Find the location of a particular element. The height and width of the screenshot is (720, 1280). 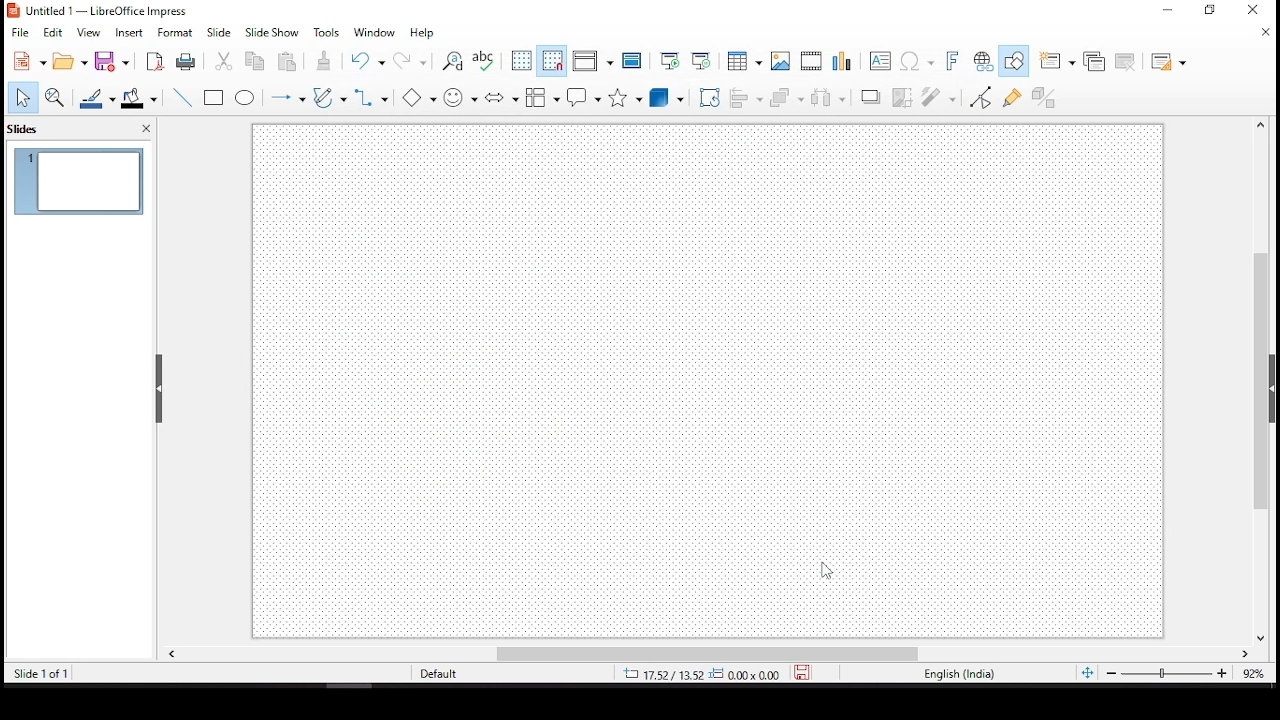

slide 1 is located at coordinates (79, 181).